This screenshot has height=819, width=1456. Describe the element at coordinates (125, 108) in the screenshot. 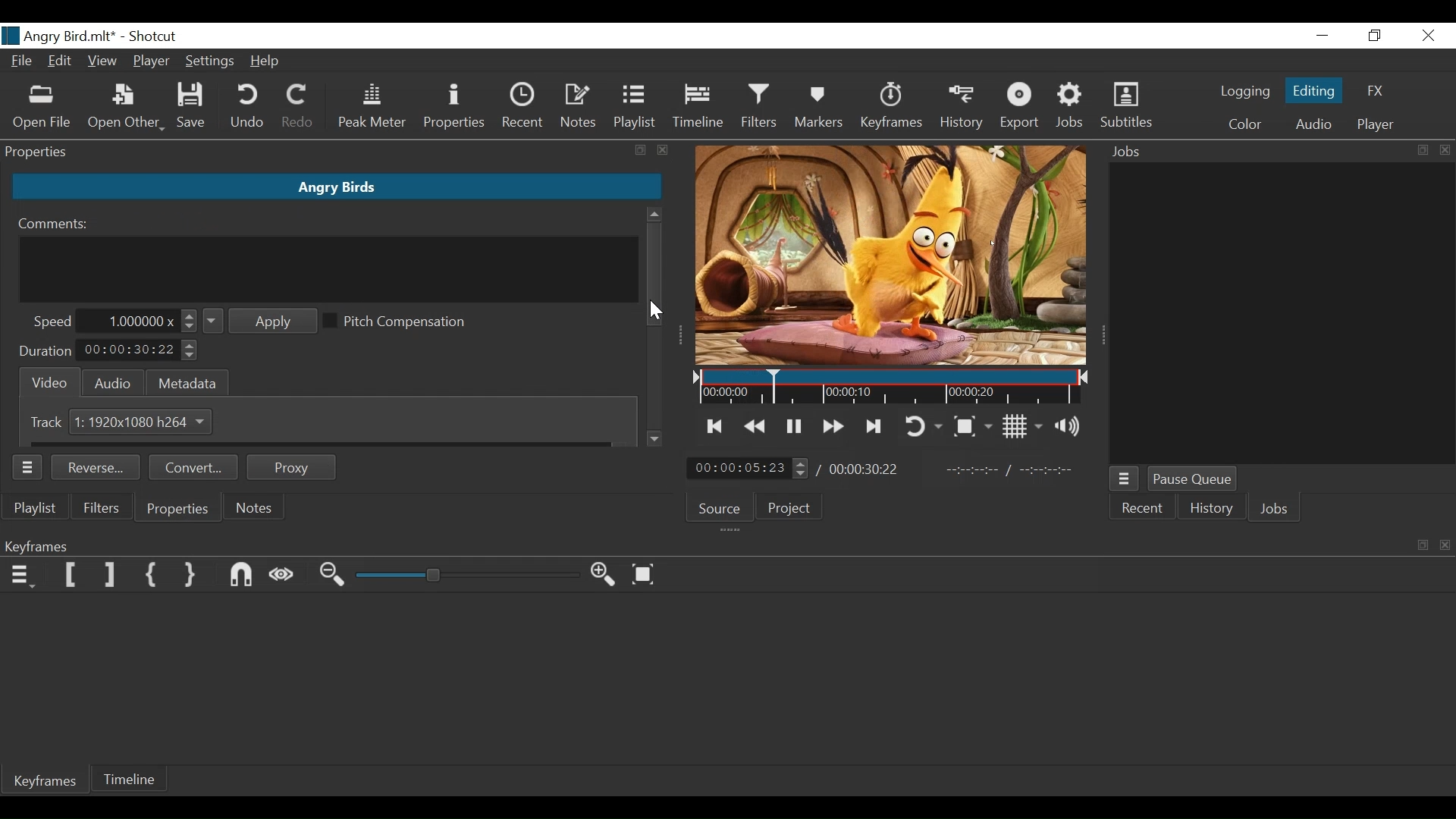

I see `Open Other` at that location.